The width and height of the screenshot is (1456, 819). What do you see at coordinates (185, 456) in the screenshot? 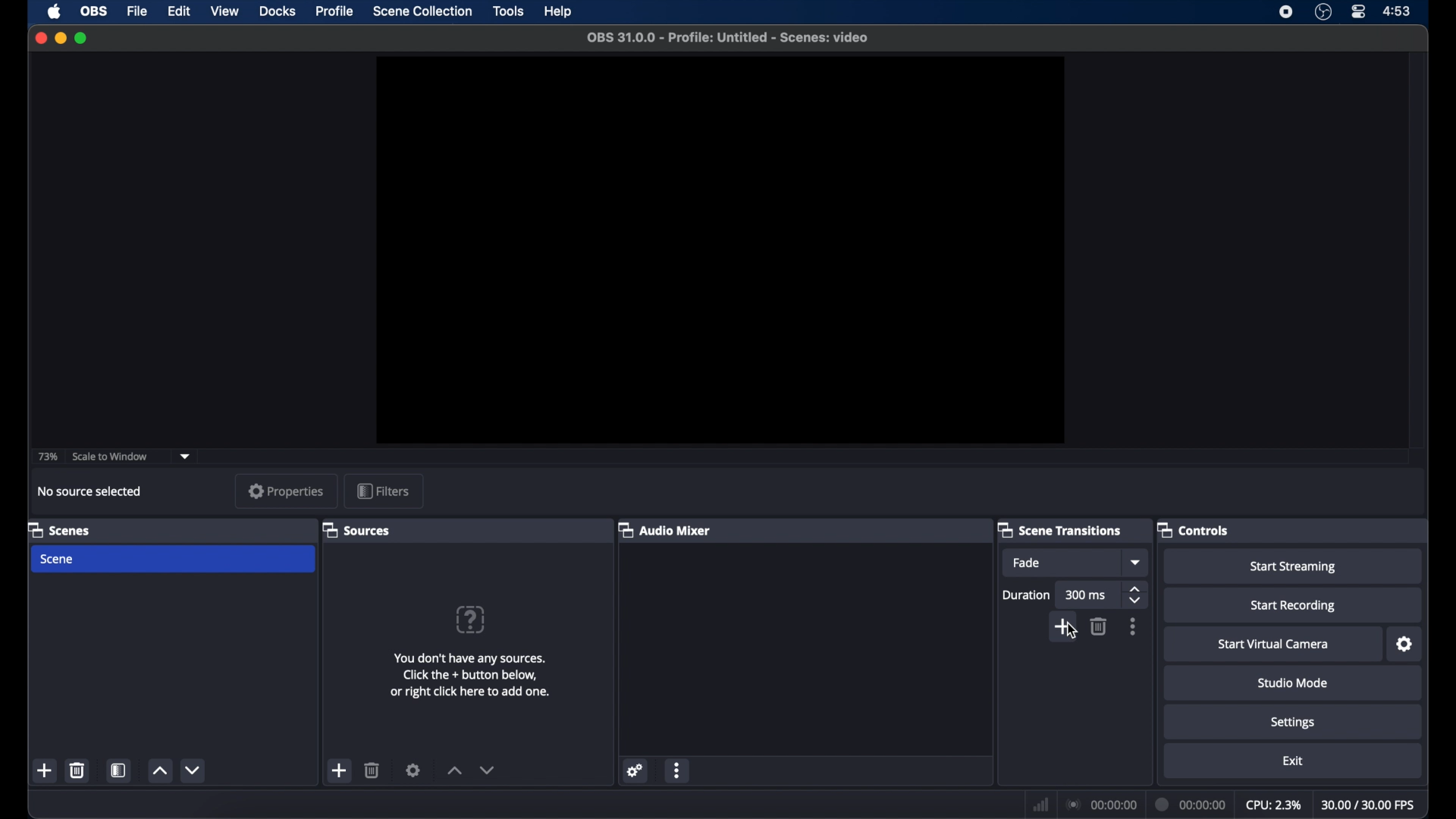
I see `dropdown` at bounding box center [185, 456].